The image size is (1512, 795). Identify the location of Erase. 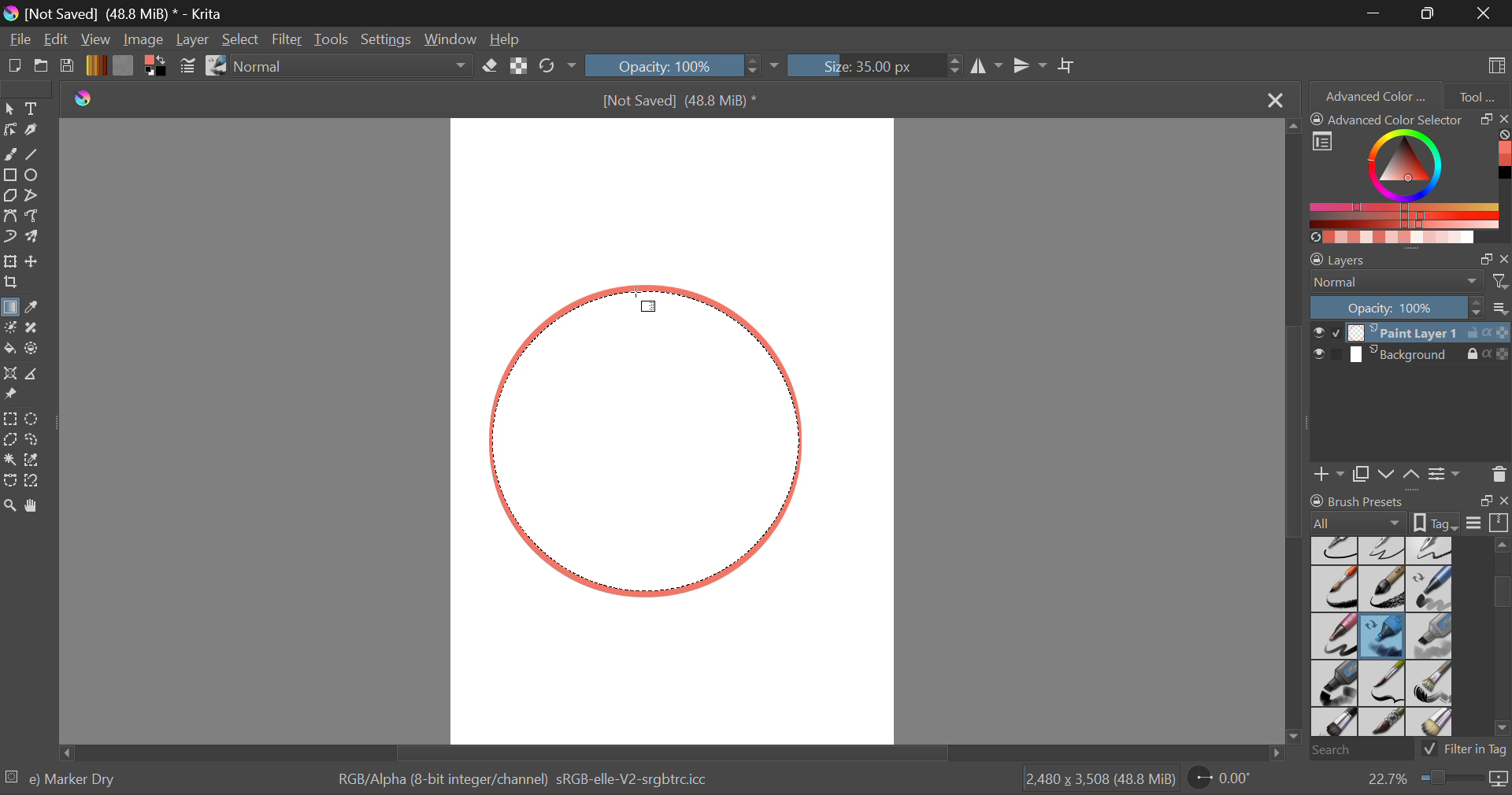
(493, 68).